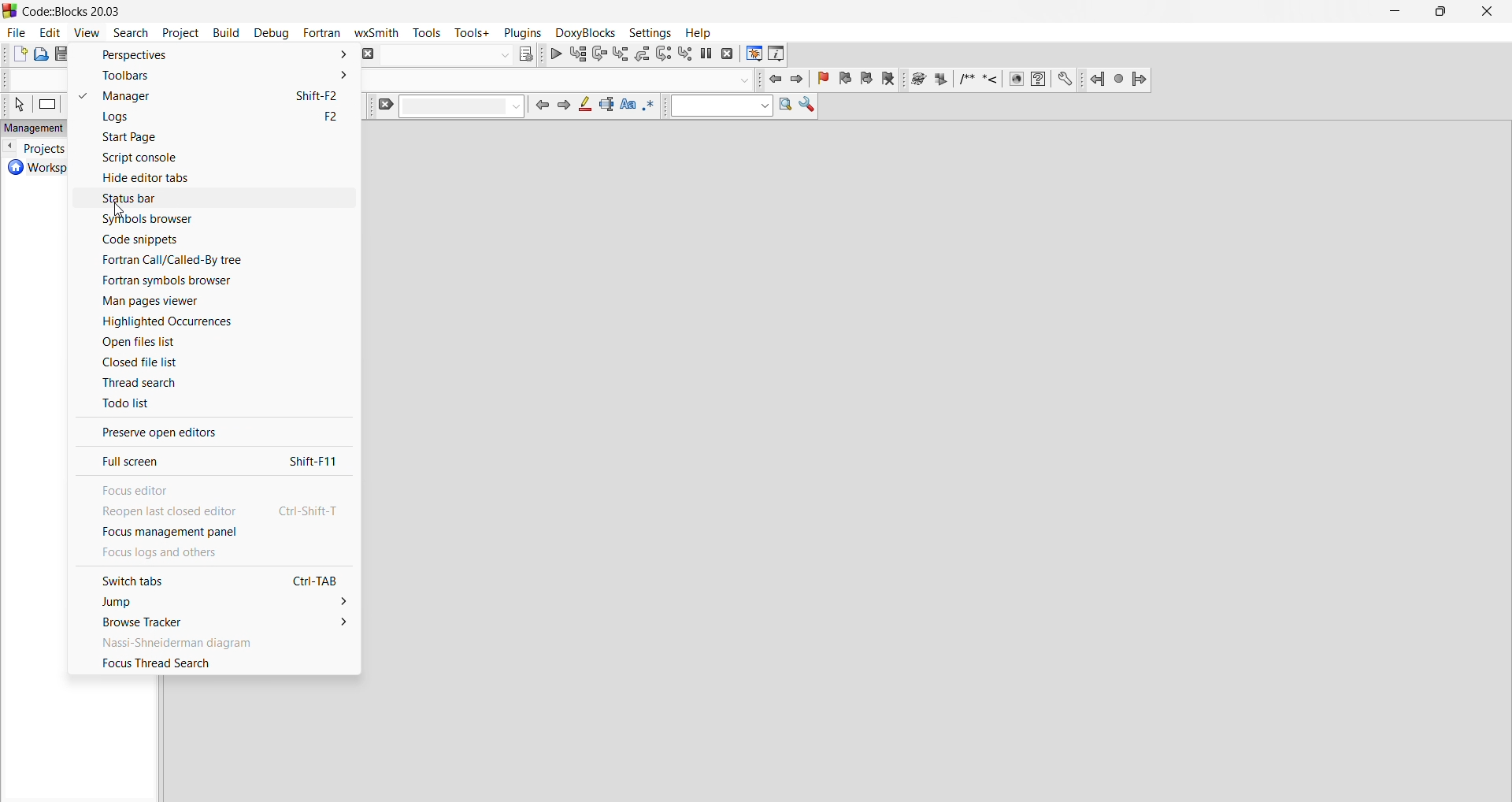  I want to click on next instruction, so click(665, 55).